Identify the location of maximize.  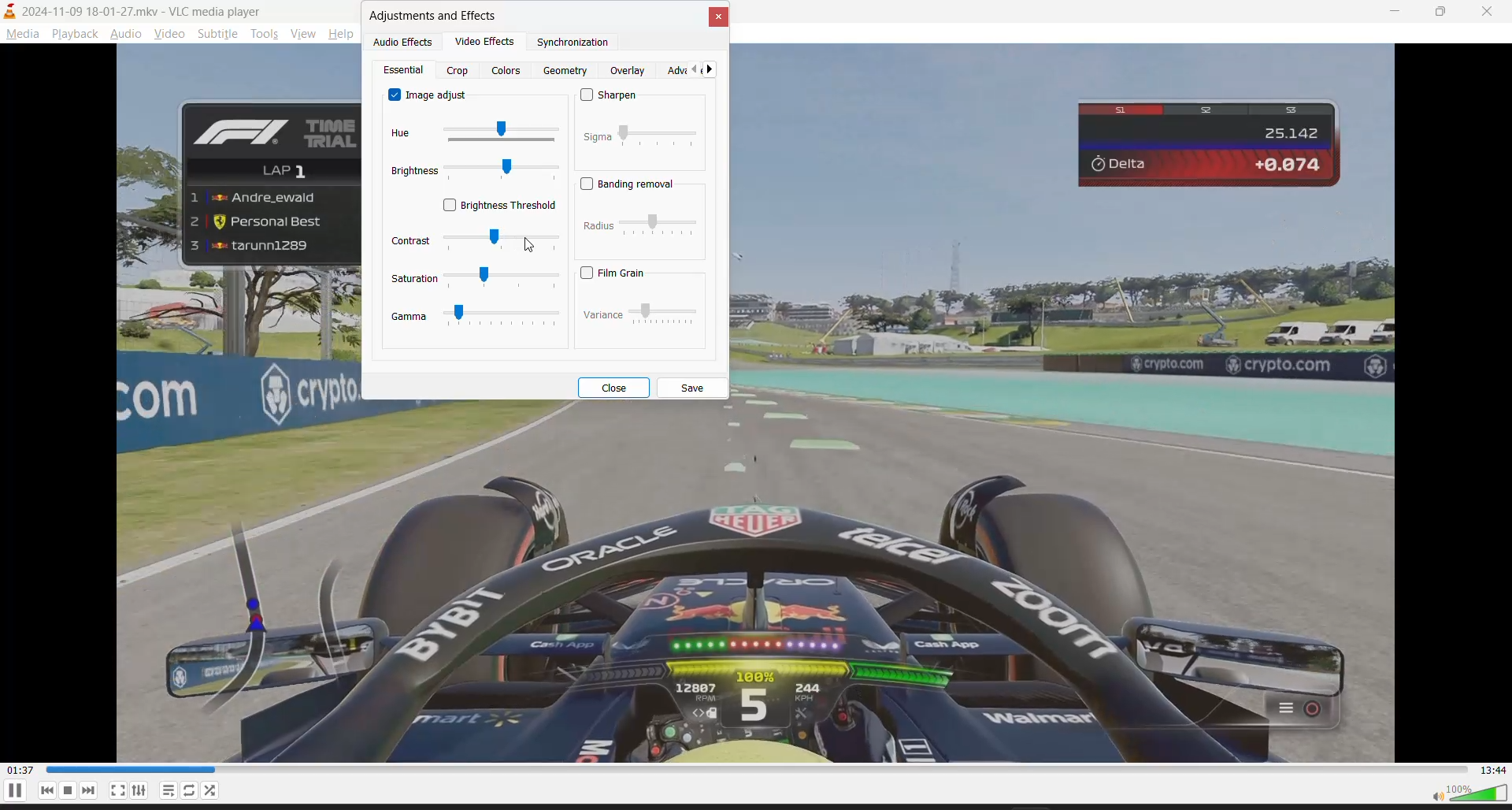
(1442, 10).